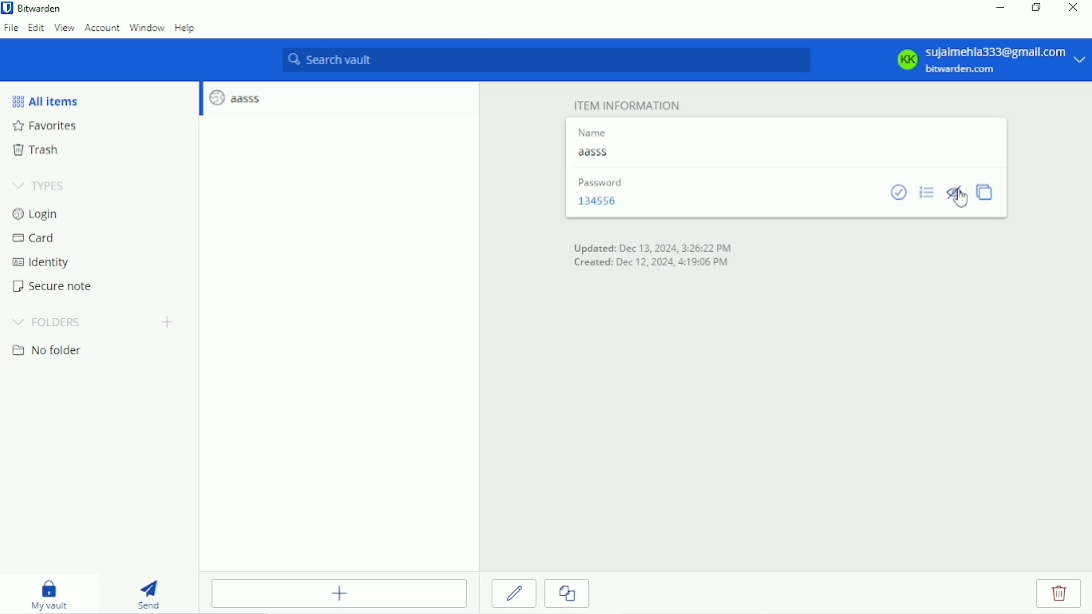  Describe the element at coordinates (956, 197) in the screenshot. I see `Toggle visibility` at that location.